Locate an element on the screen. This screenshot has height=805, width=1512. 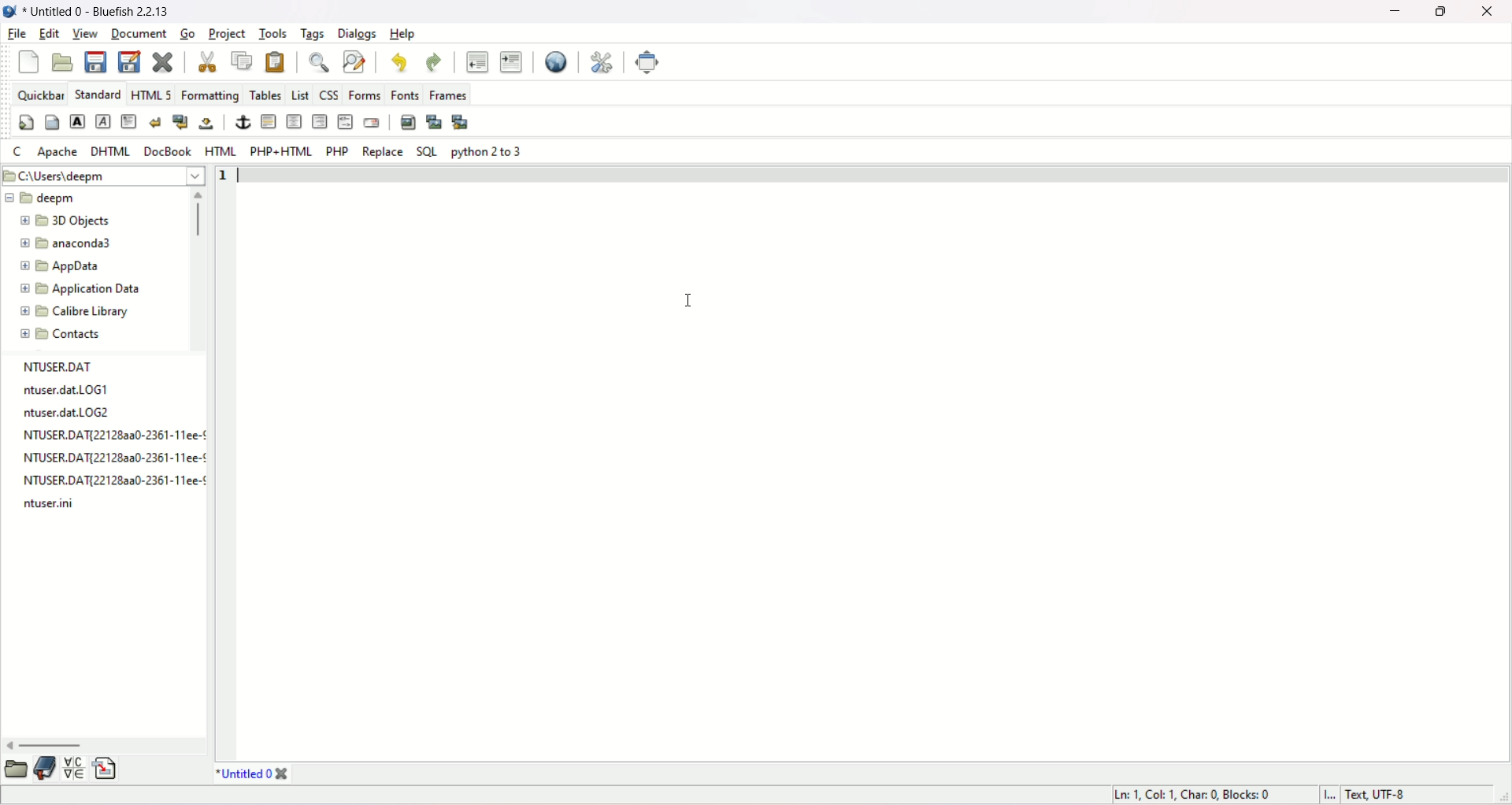
document name is located at coordinates (113, 9).